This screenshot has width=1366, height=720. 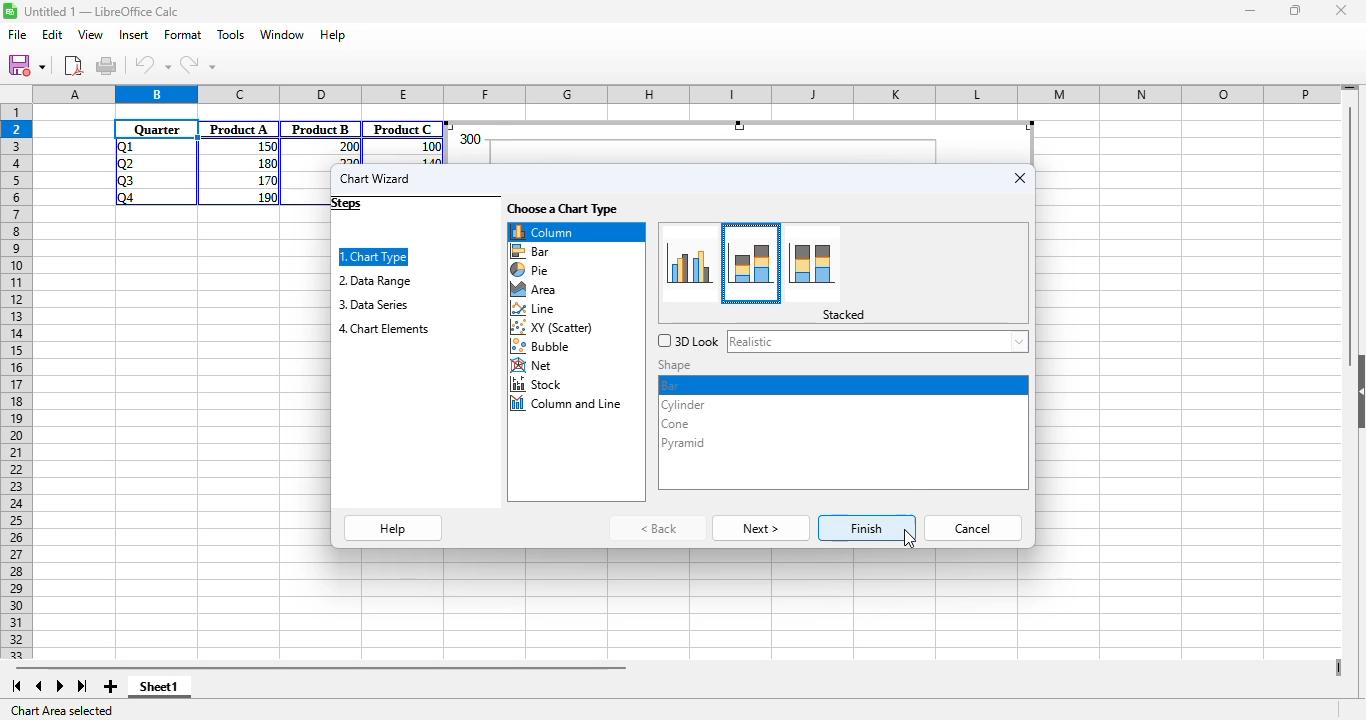 What do you see at coordinates (1352, 232) in the screenshot?
I see `vertical scroll bar` at bounding box center [1352, 232].